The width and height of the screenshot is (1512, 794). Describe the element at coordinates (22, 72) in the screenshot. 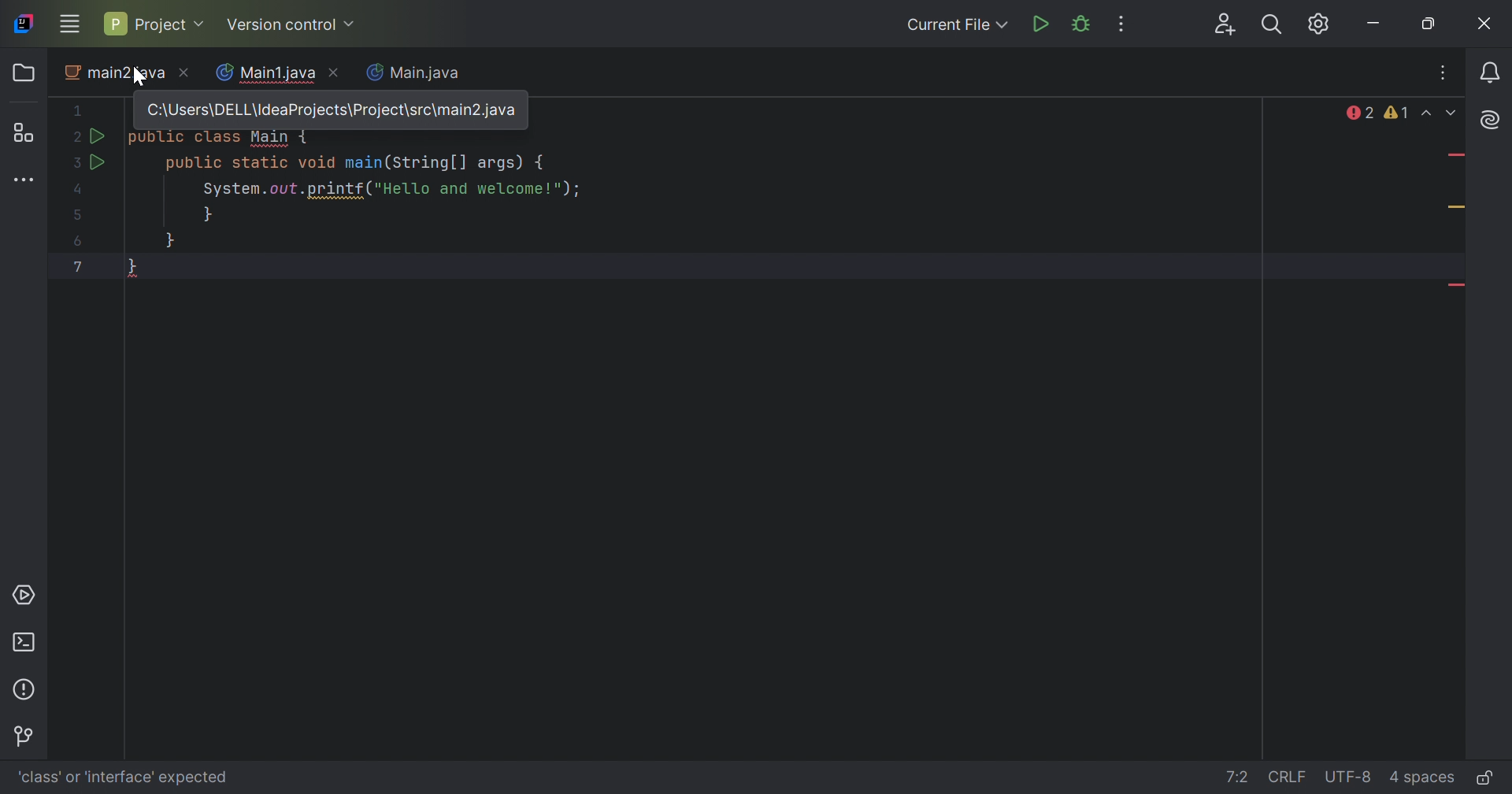

I see `Project icon` at that location.